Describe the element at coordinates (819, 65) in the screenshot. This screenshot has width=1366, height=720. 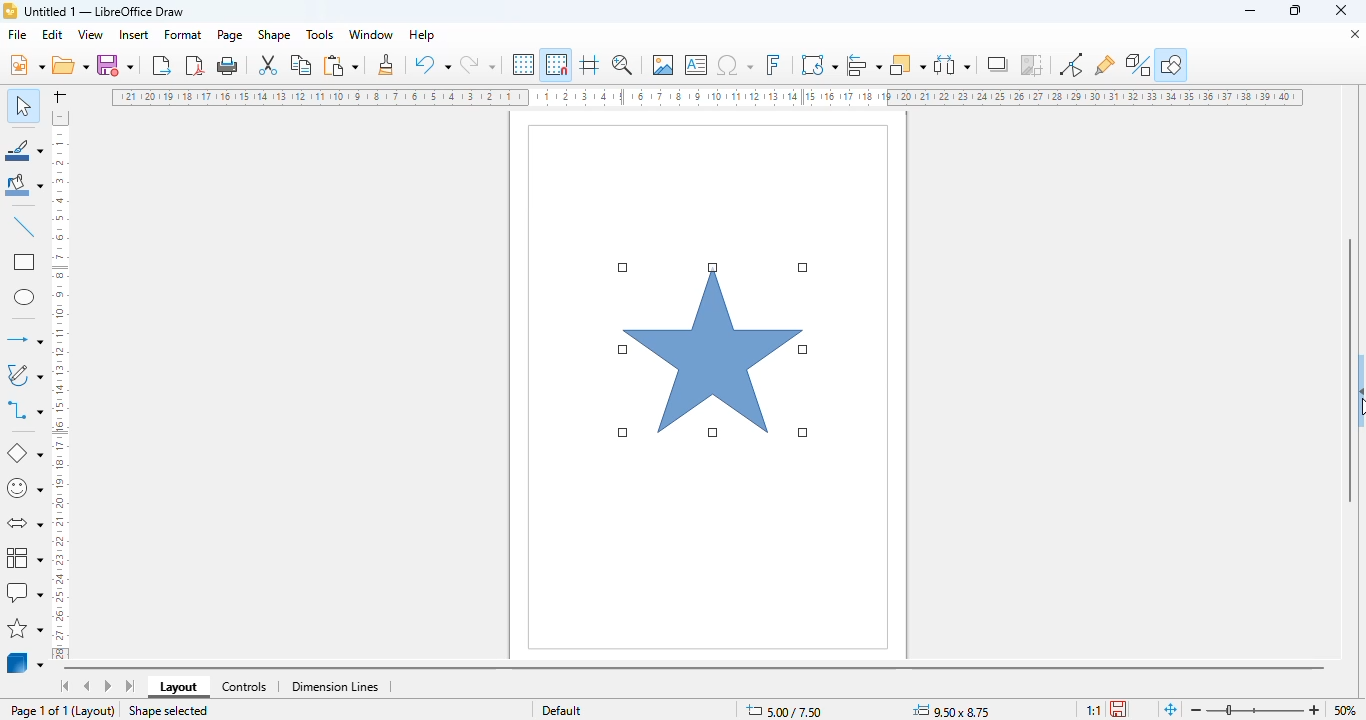
I see `transformations` at that location.